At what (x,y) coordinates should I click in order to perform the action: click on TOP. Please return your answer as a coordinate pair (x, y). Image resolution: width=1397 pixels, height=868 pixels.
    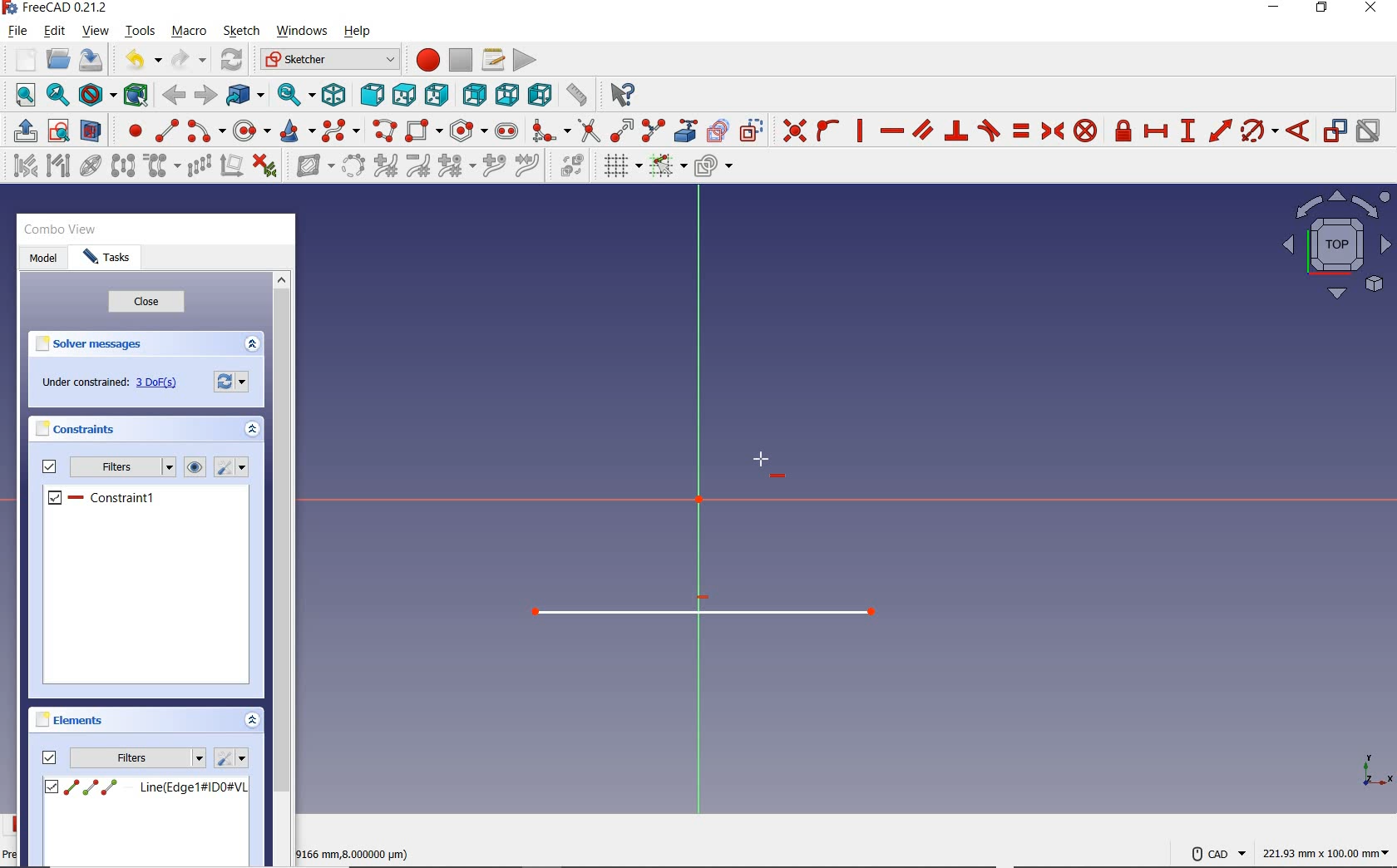
    Looking at the image, I should click on (404, 91).